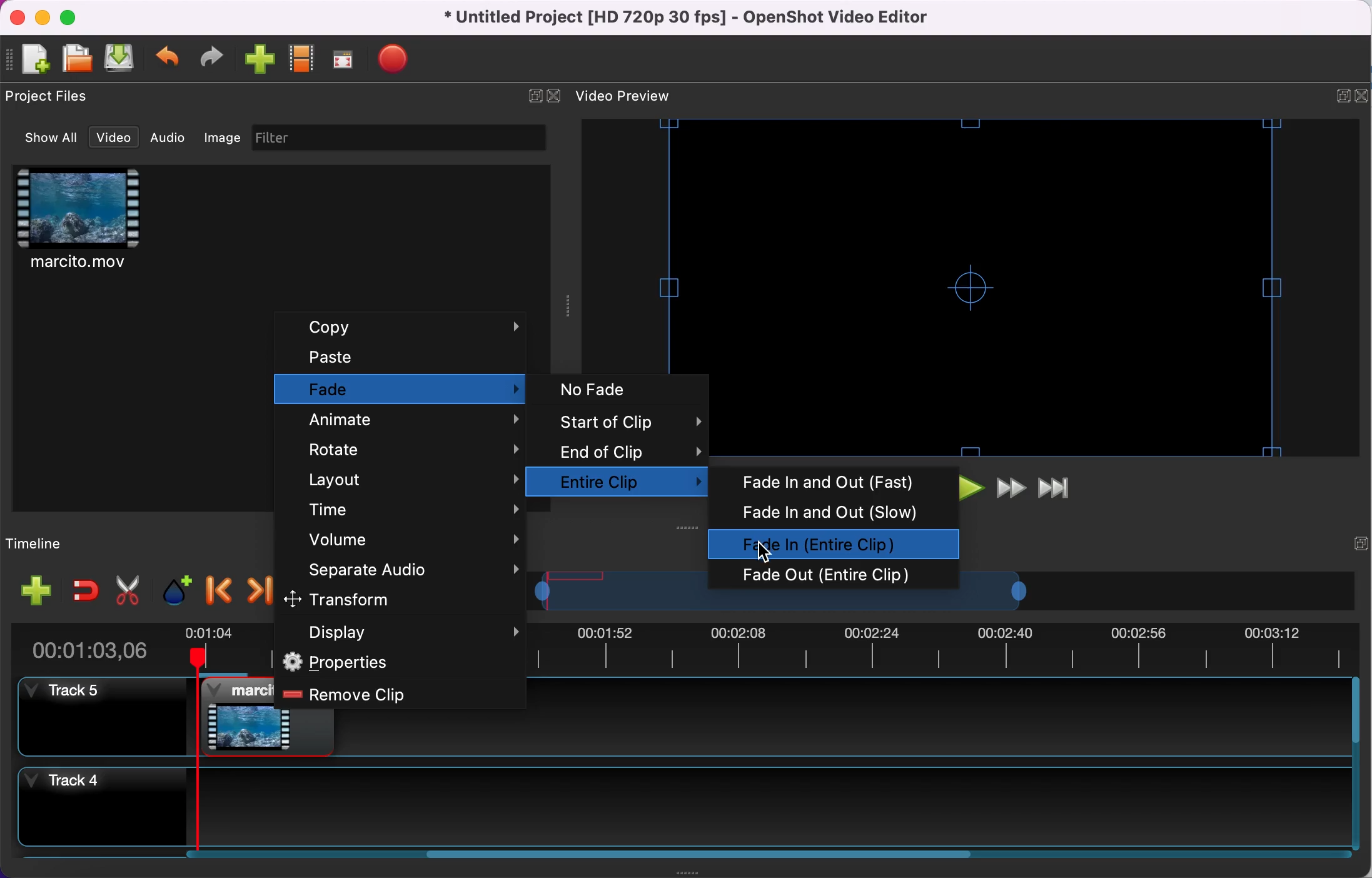 The width and height of the screenshot is (1372, 878). What do you see at coordinates (29, 59) in the screenshot?
I see `new file` at bounding box center [29, 59].